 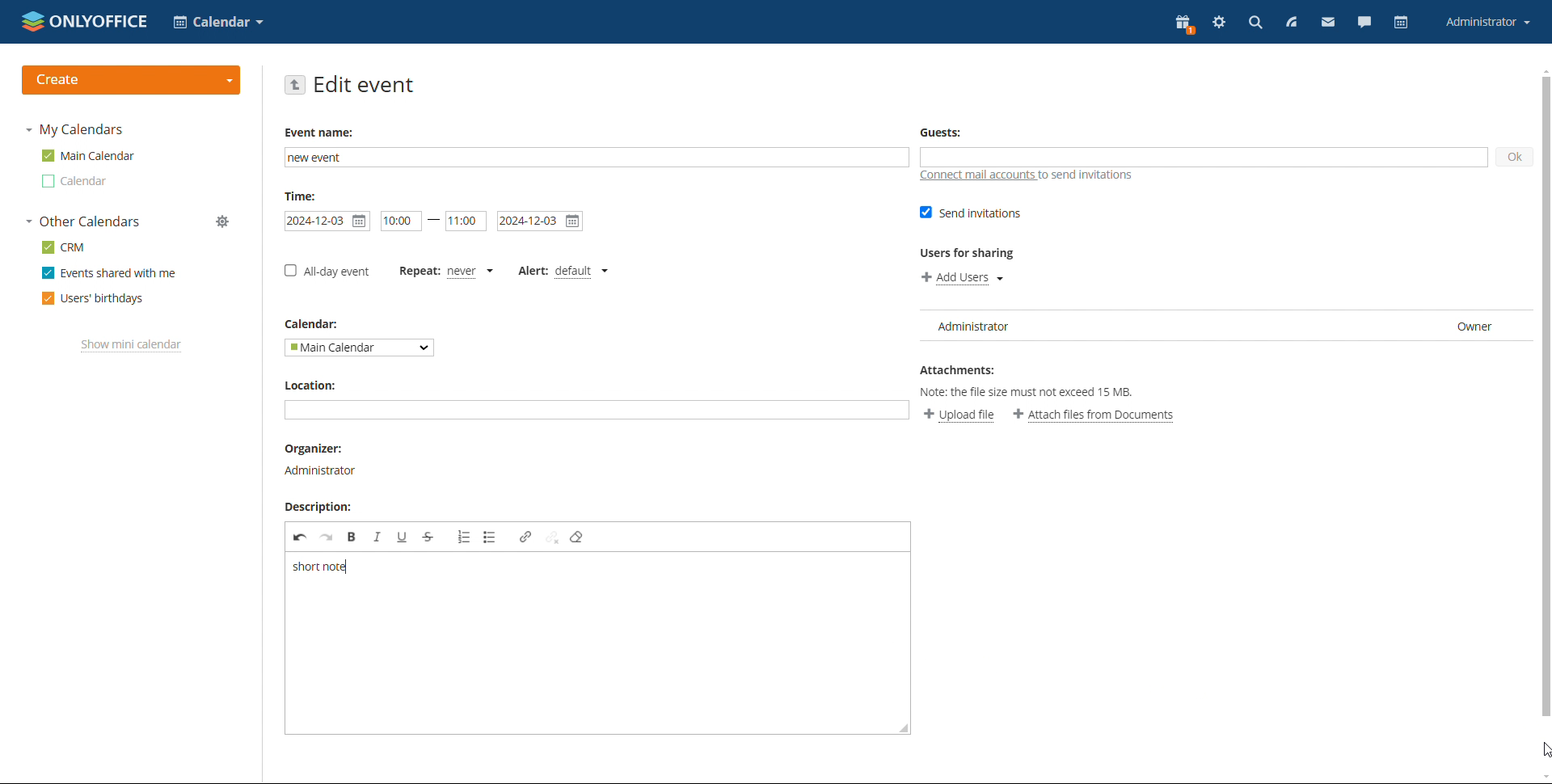 What do you see at coordinates (1221, 326) in the screenshot?
I see `user list` at bounding box center [1221, 326].